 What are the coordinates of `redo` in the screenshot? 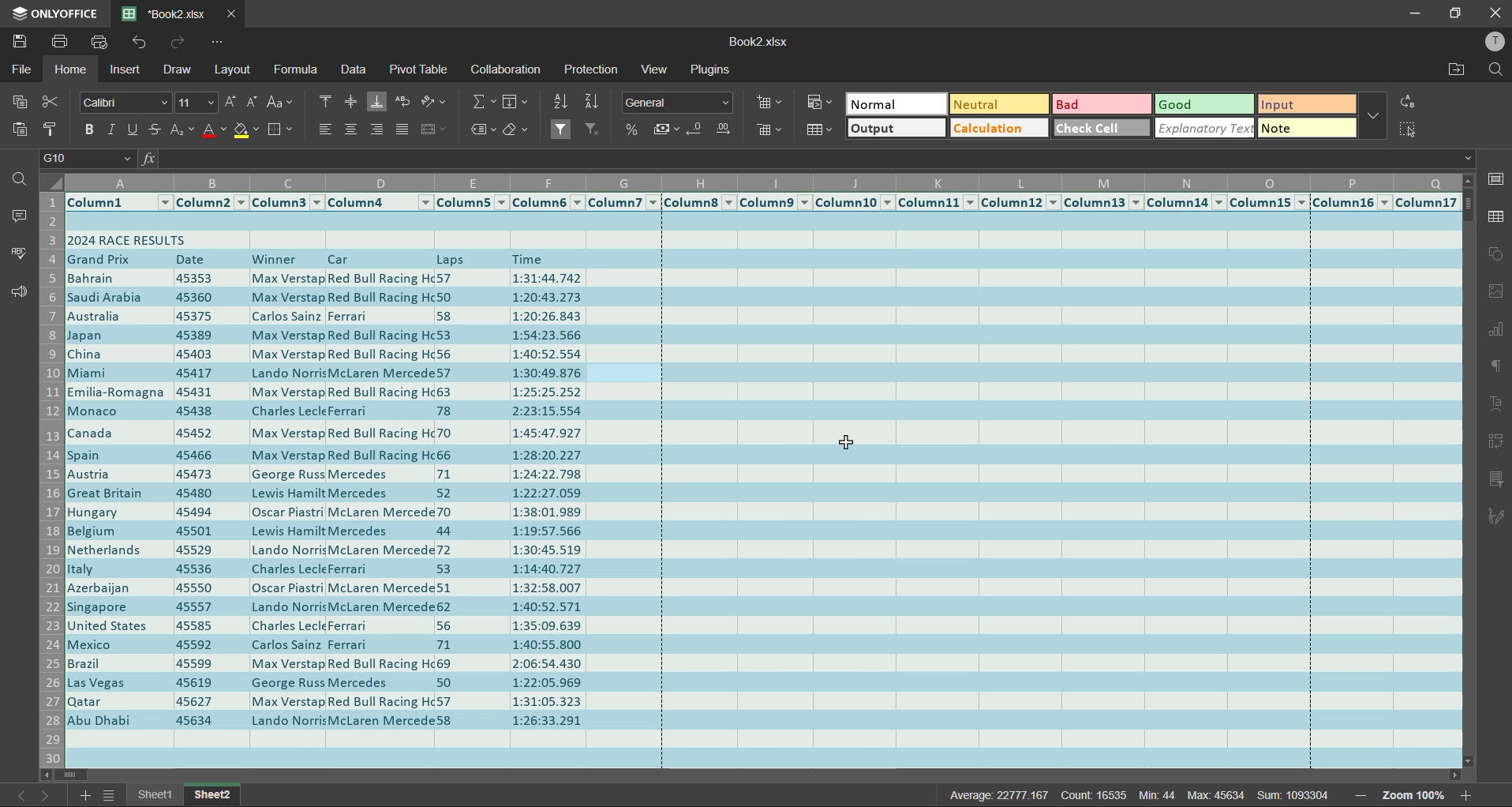 It's located at (174, 43).